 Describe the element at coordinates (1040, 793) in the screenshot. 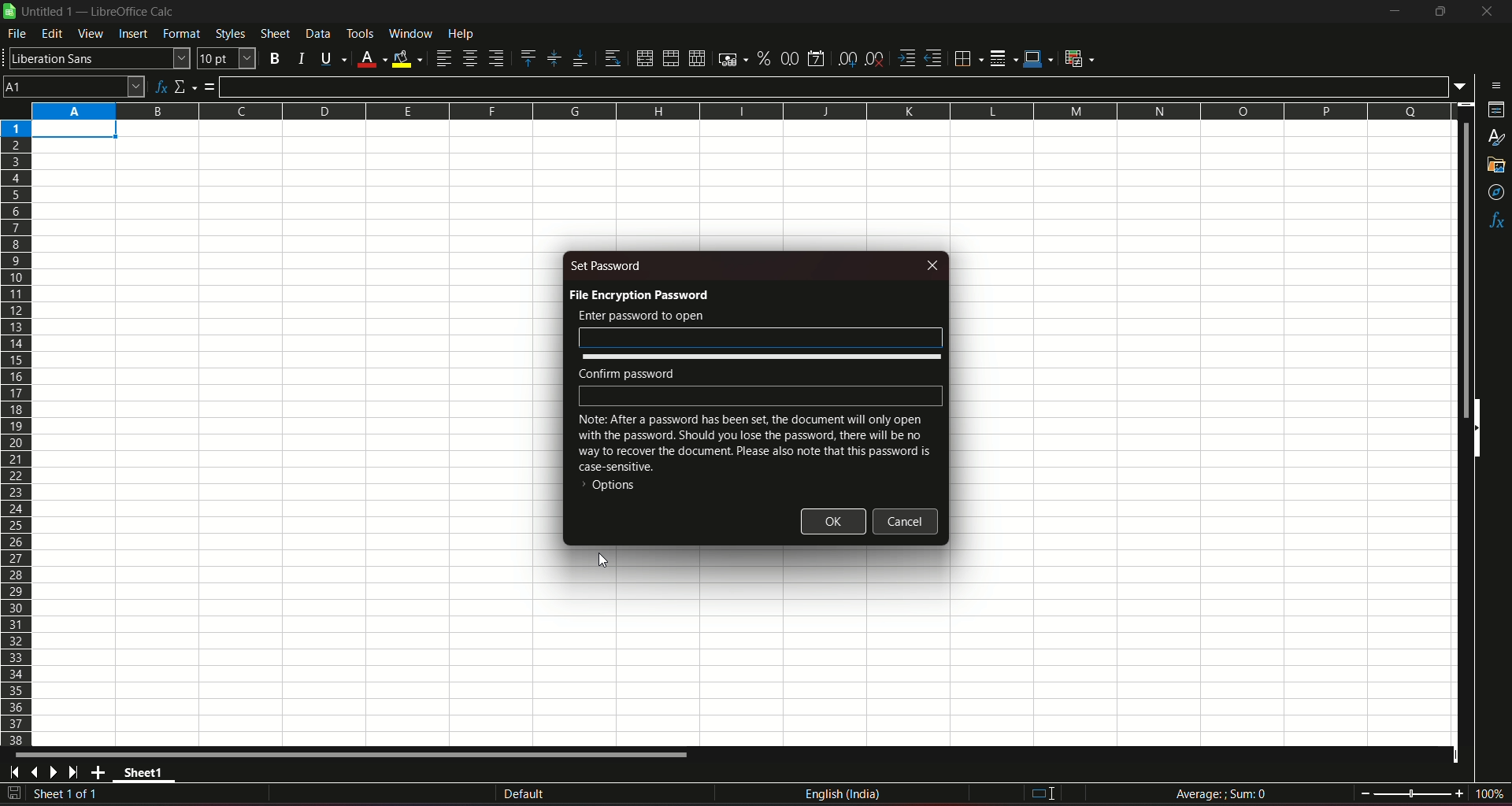

I see `standard selection` at that location.